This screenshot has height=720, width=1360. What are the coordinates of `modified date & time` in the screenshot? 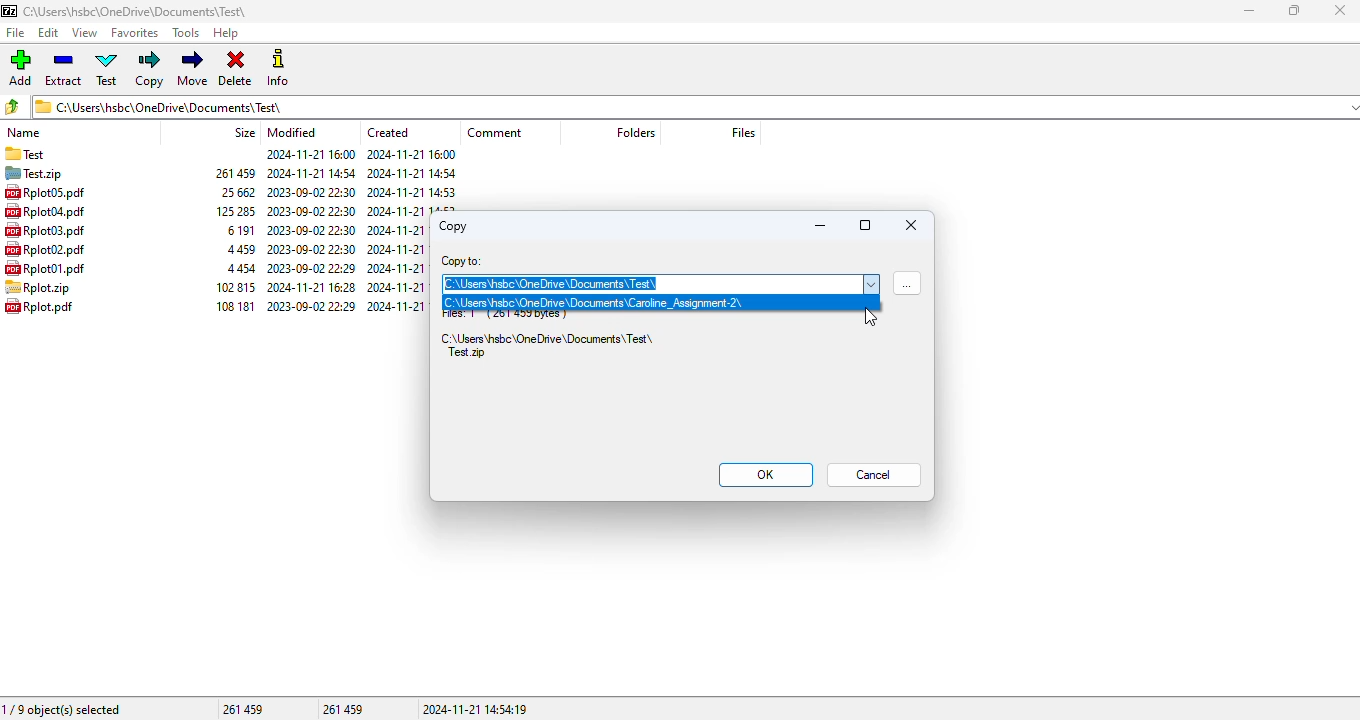 It's located at (311, 192).